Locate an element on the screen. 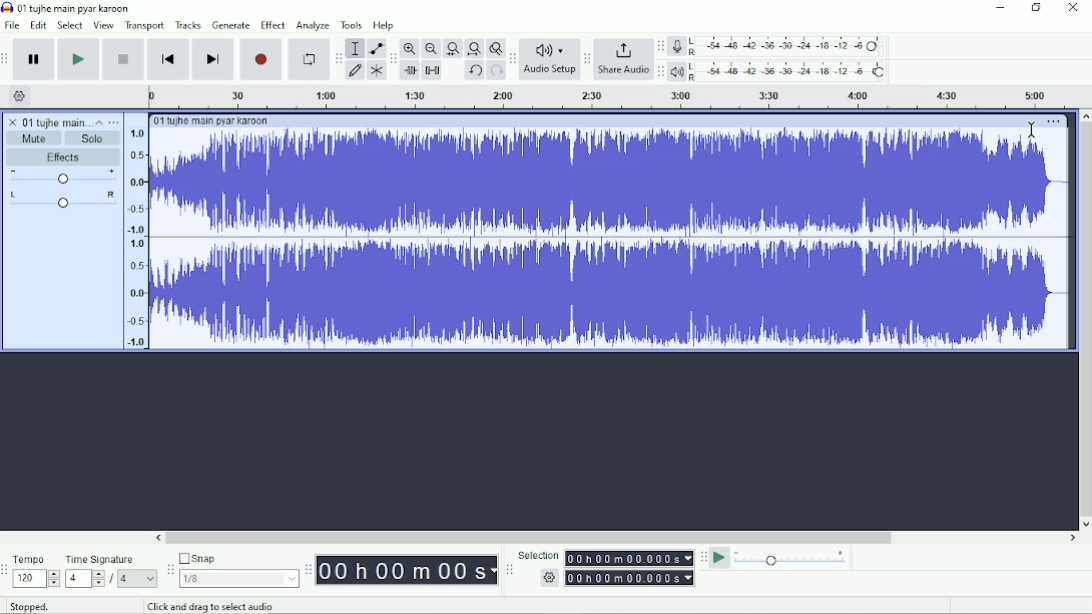  00h00m00.000s is located at coordinates (630, 578).